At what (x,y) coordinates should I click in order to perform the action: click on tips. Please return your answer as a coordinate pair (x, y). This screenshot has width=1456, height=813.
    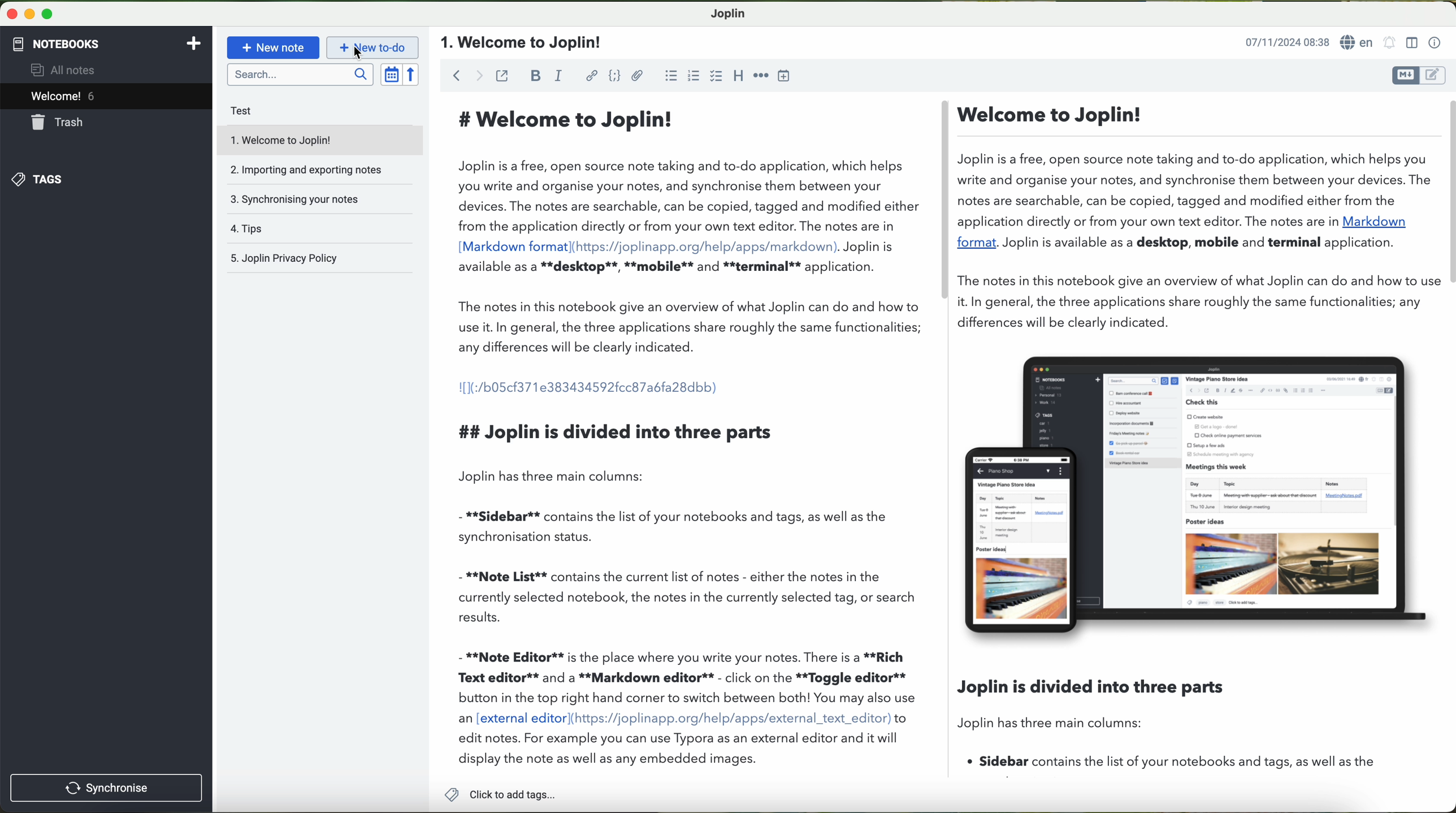
    Looking at the image, I should click on (269, 230).